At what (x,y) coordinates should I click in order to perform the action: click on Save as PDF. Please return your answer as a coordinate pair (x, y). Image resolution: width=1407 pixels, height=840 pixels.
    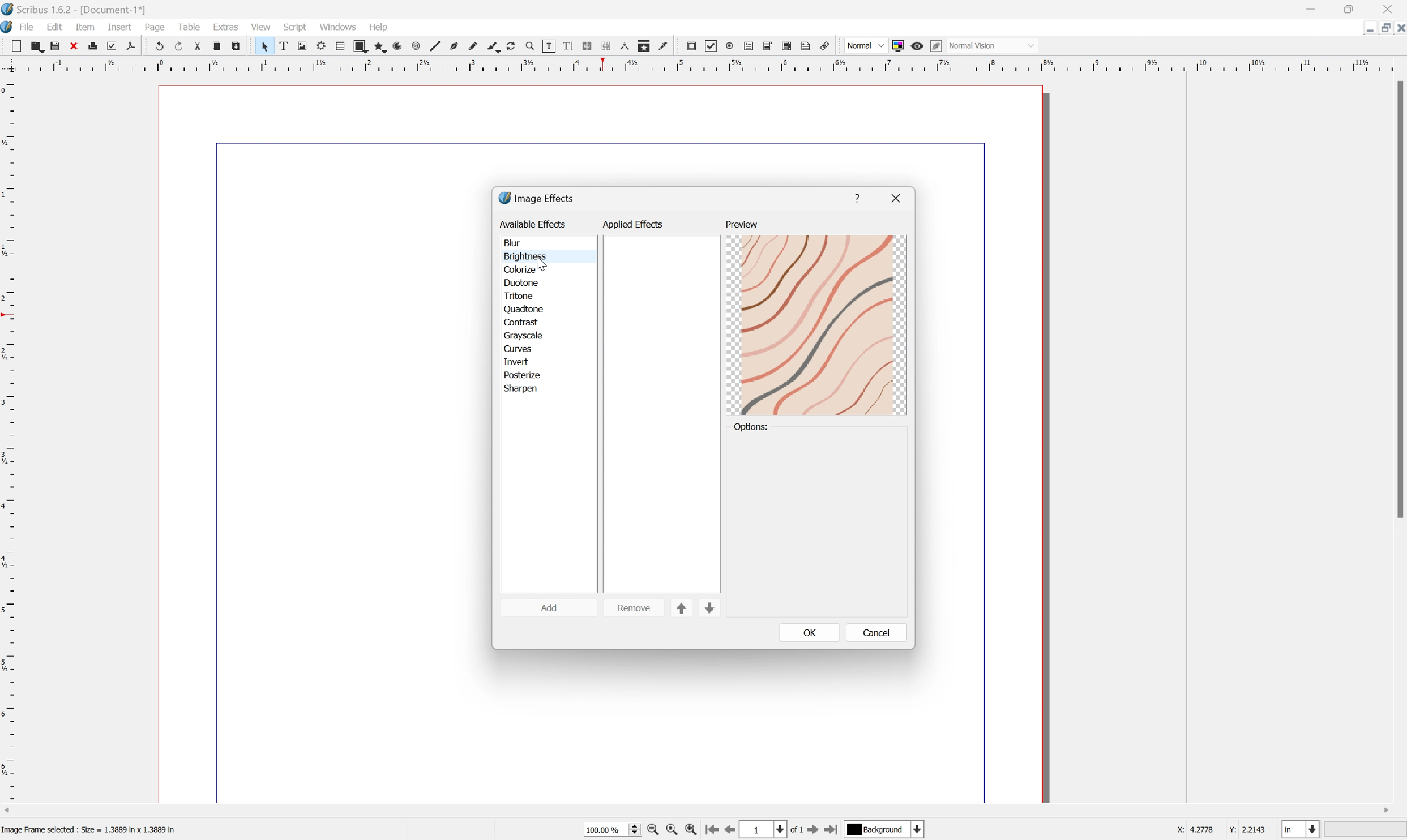
    Looking at the image, I should click on (131, 45).